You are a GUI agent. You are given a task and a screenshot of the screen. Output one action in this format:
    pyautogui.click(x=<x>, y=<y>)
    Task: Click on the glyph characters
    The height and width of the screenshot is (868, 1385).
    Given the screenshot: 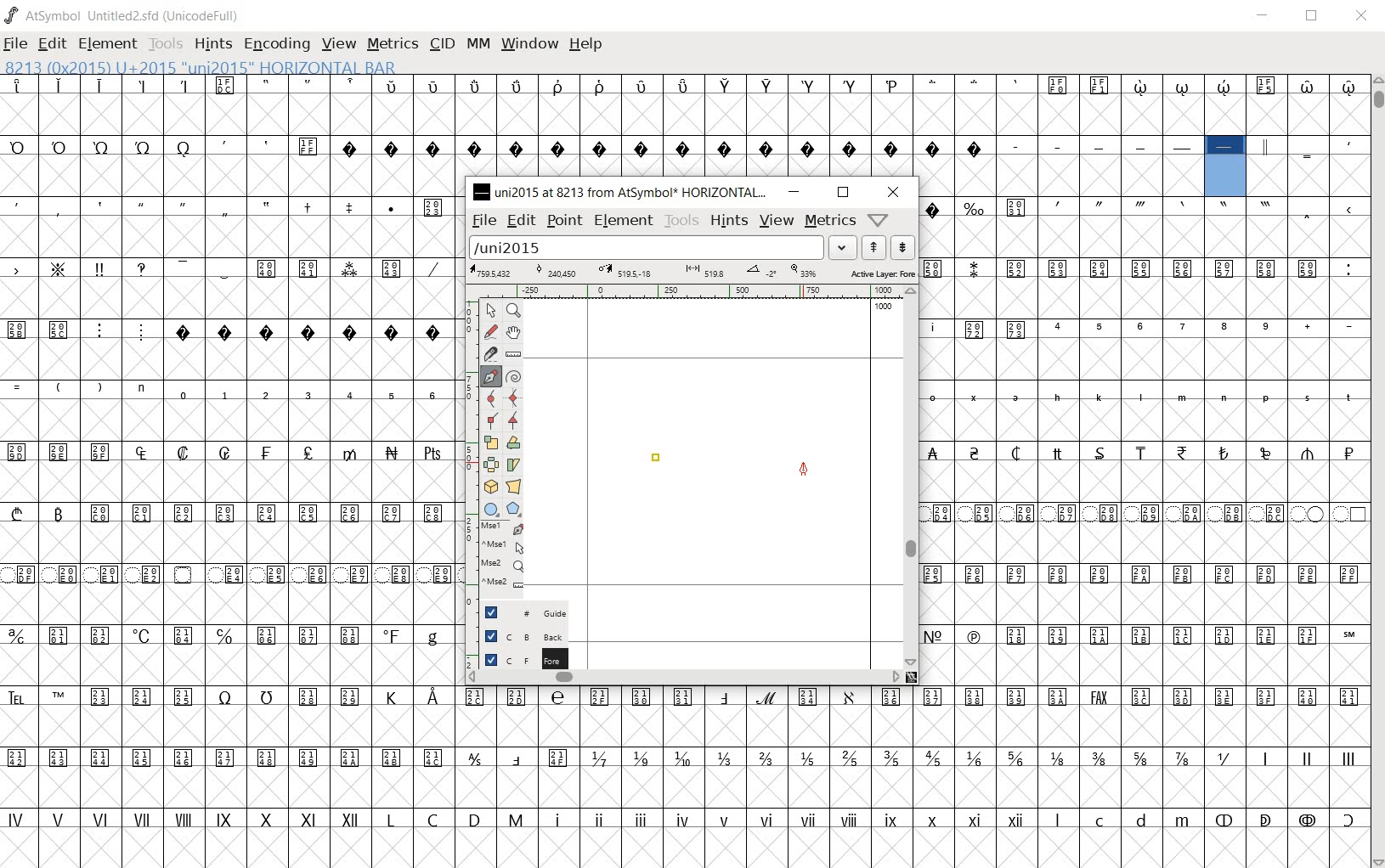 What is the action you would take?
    pyautogui.click(x=1145, y=440)
    